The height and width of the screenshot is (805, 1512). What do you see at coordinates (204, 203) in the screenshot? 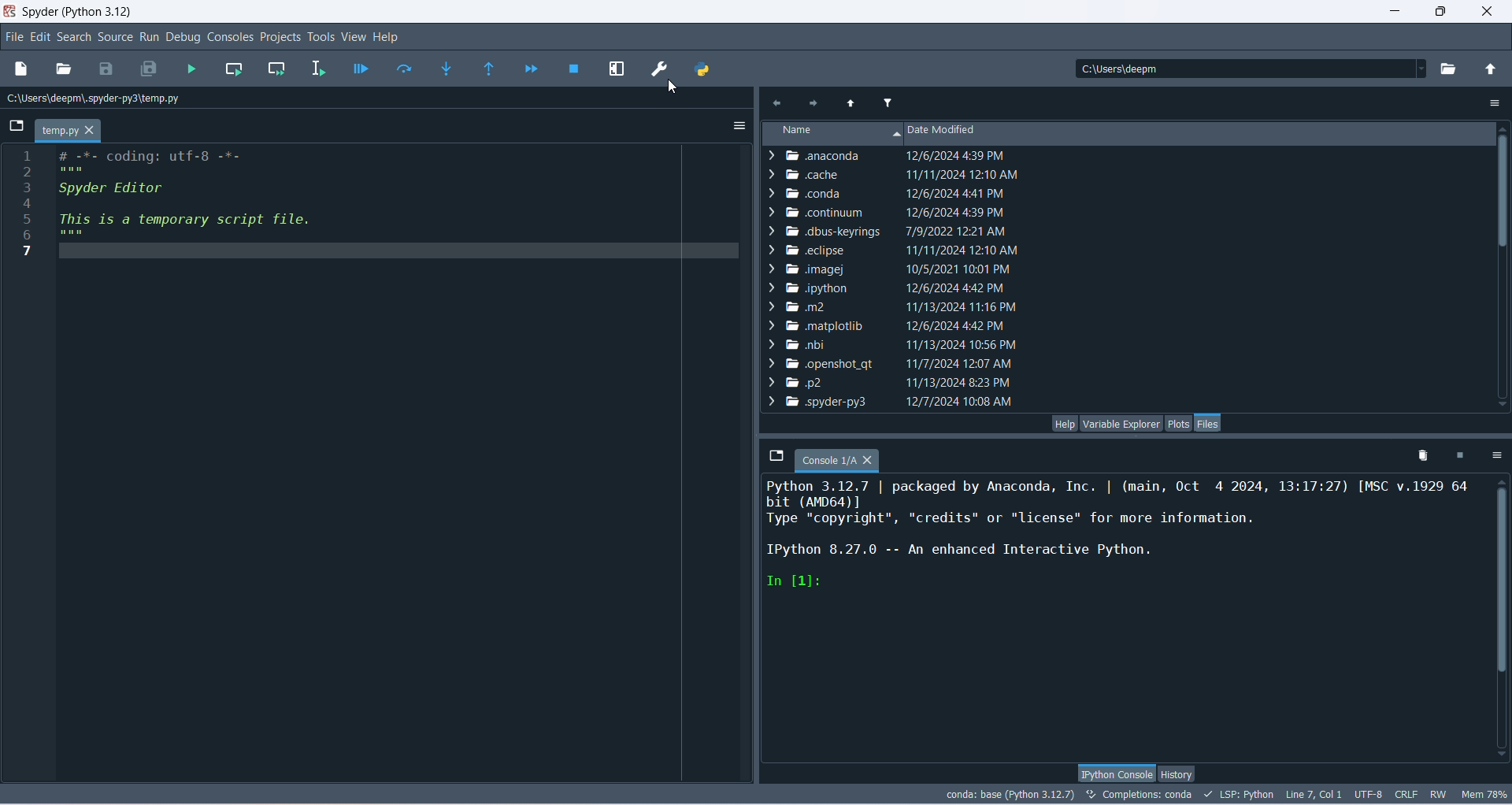
I see `editor pane text` at bounding box center [204, 203].